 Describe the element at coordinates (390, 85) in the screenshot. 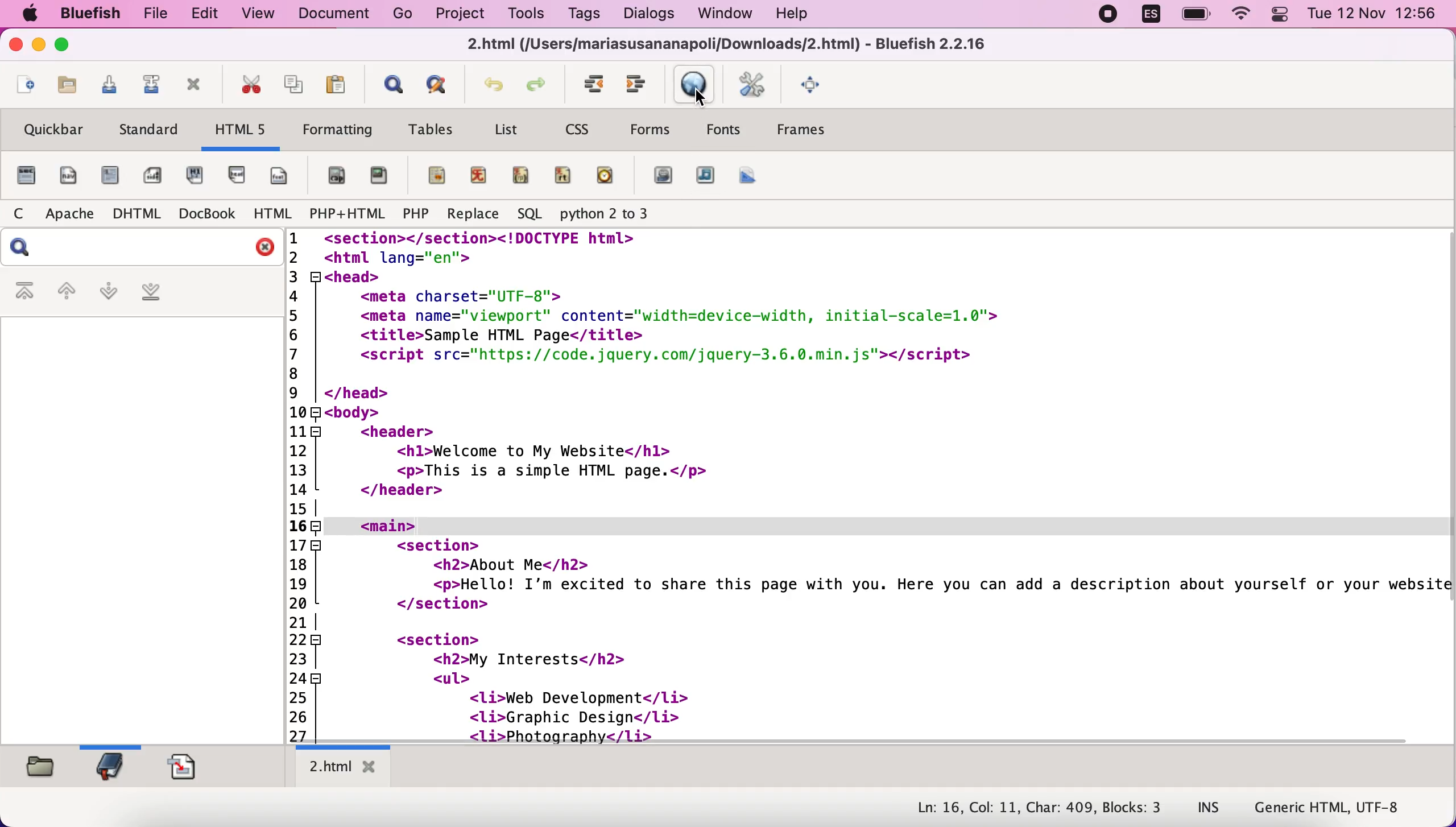

I see `show find bar` at that location.